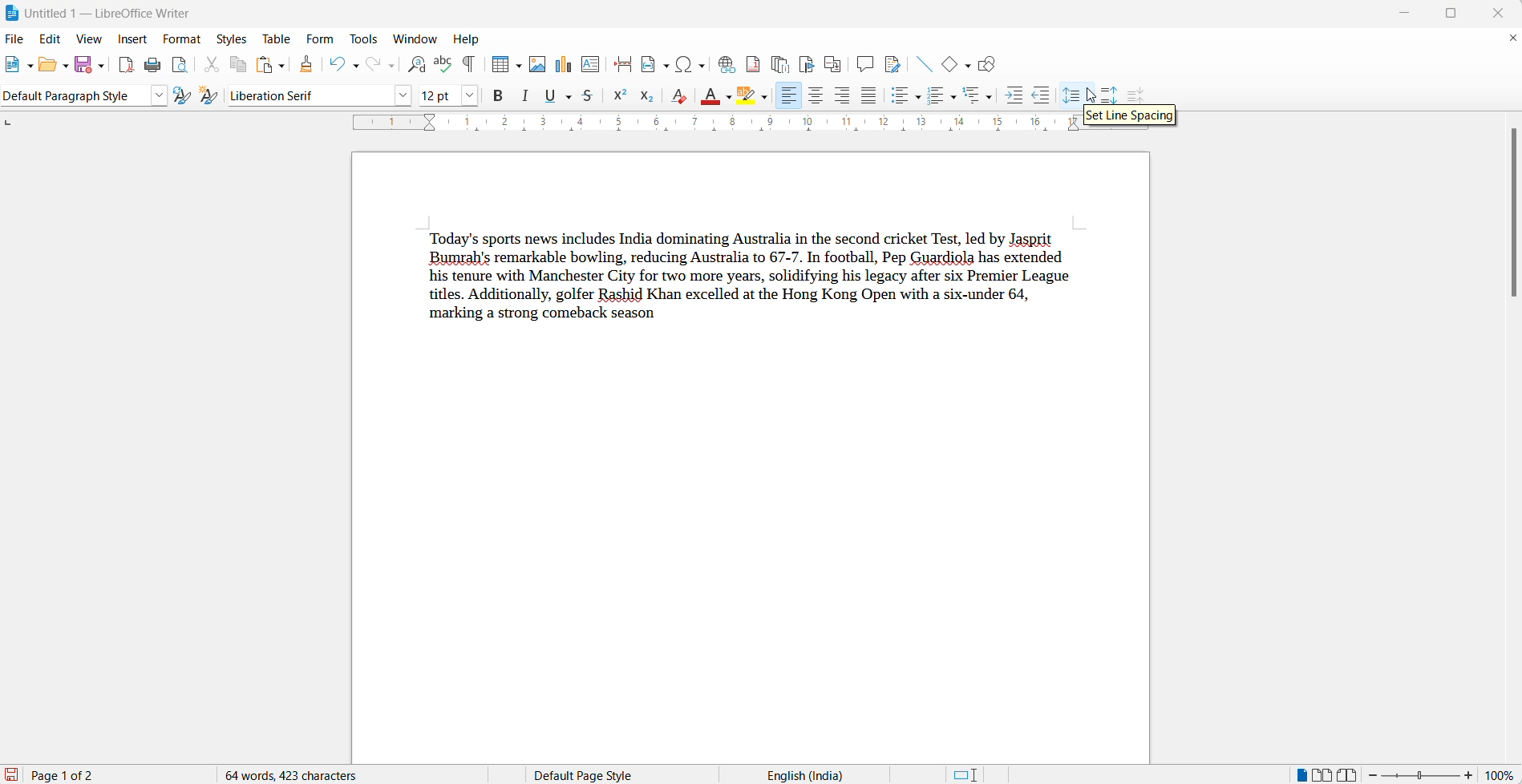  What do you see at coordinates (473, 40) in the screenshot?
I see `help` at bounding box center [473, 40].